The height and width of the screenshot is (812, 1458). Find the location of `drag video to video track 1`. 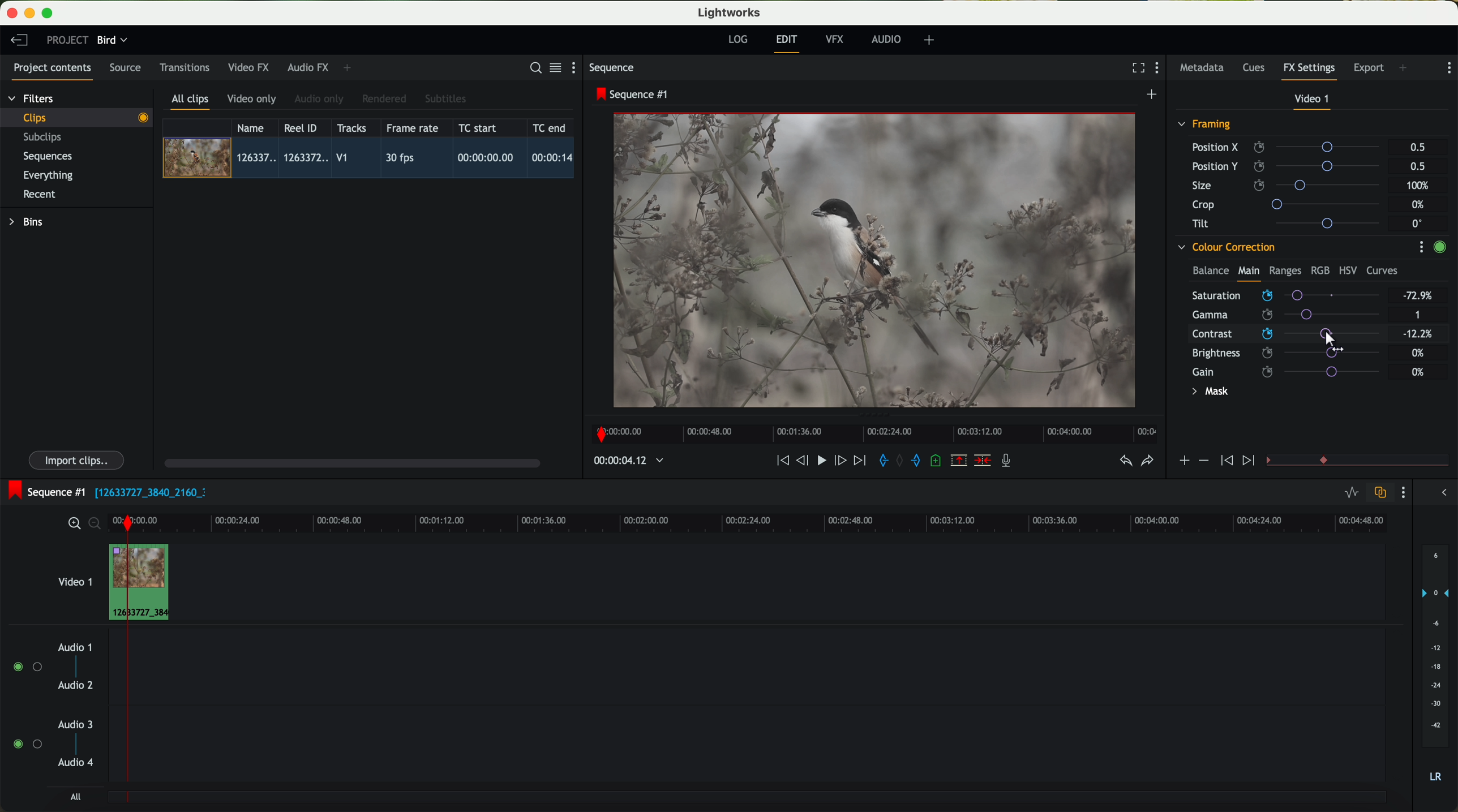

drag video to video track 1 is located at coordinates (144, 583).